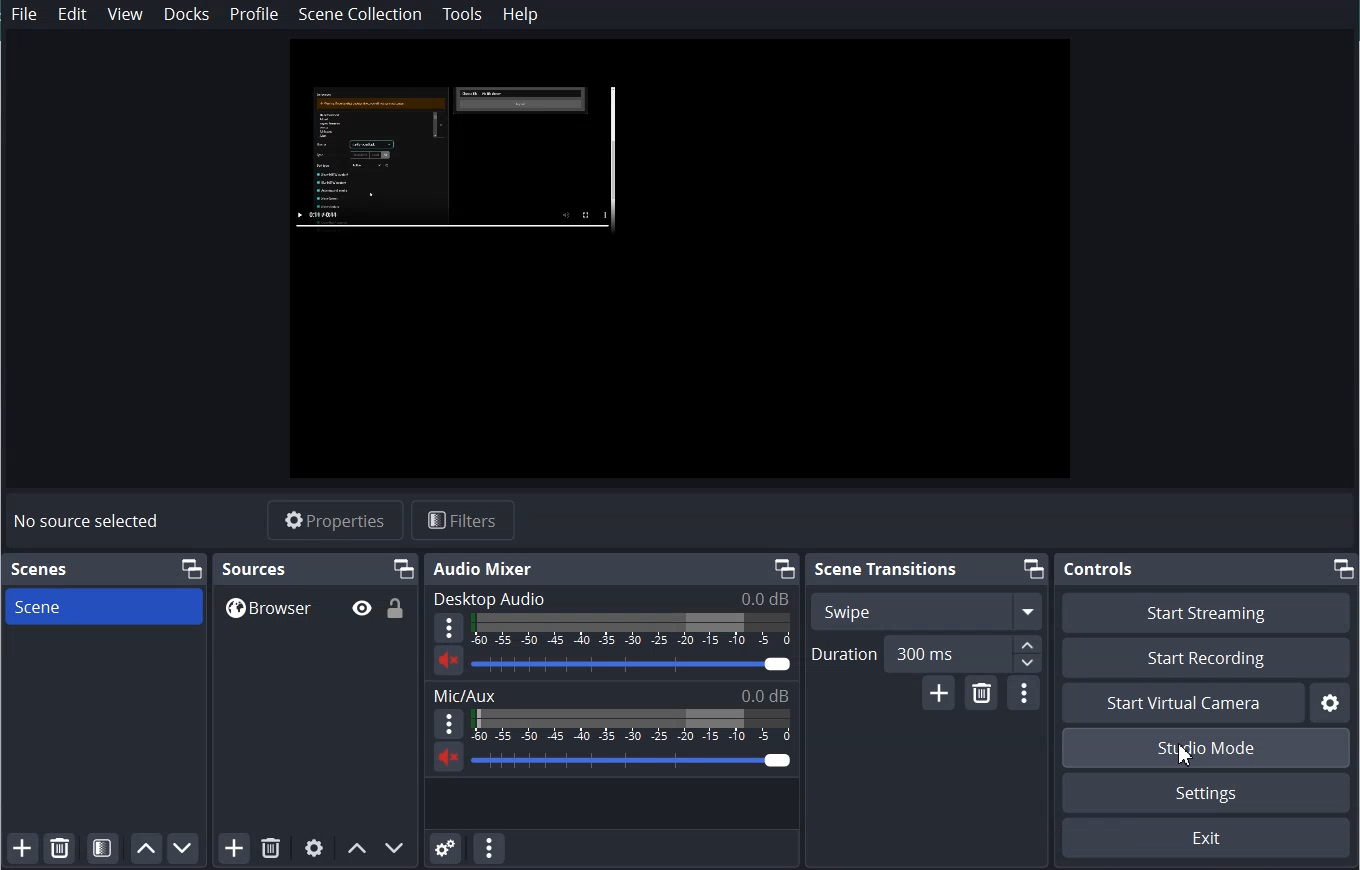 The image size is (1360, 870). What do you see at coordinates (315, 607) in the screenshot?
I see `Browse` at bounding box center [315, 607].